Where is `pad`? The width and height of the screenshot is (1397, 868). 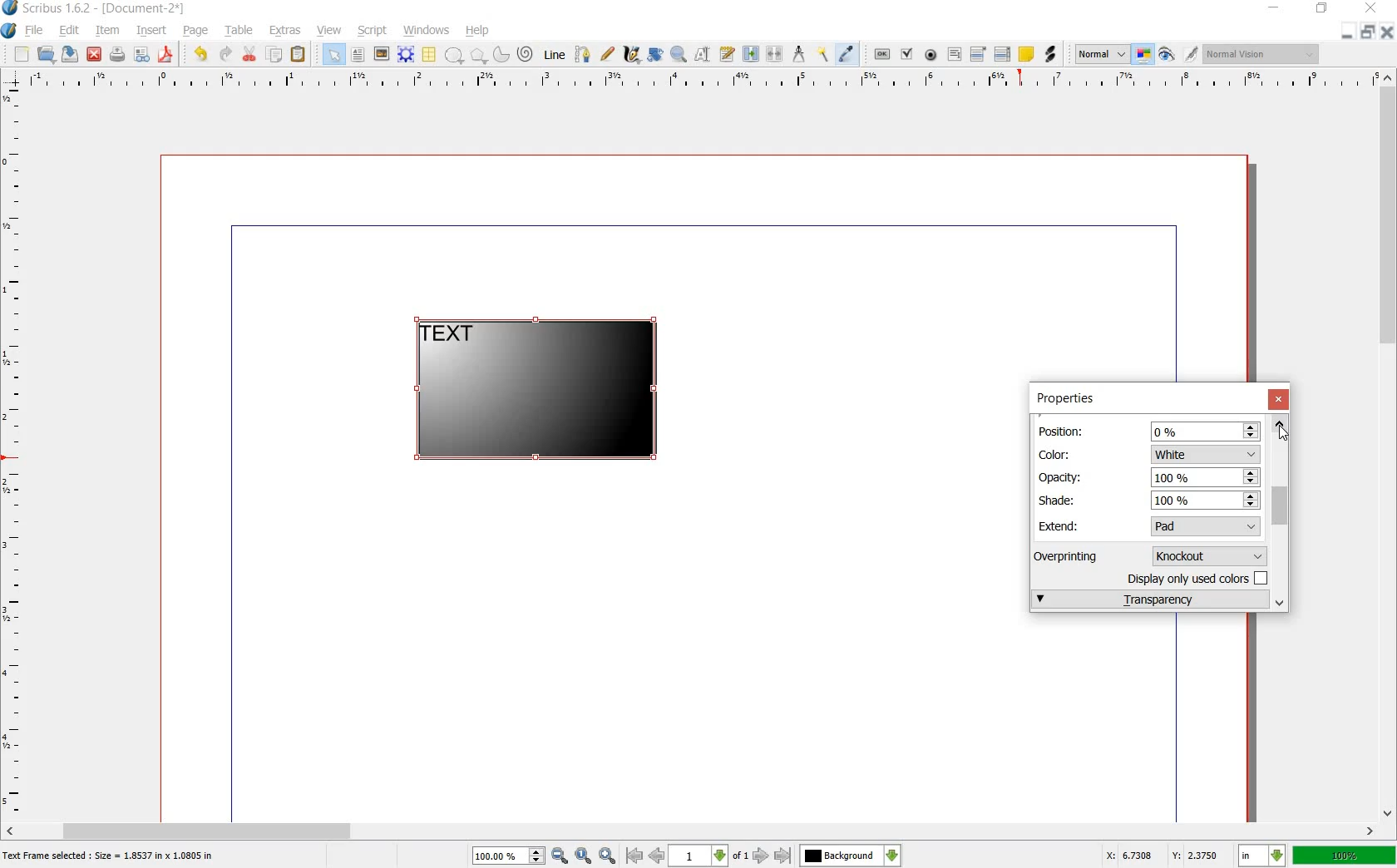
pad is located at coordinates (1208, 526).